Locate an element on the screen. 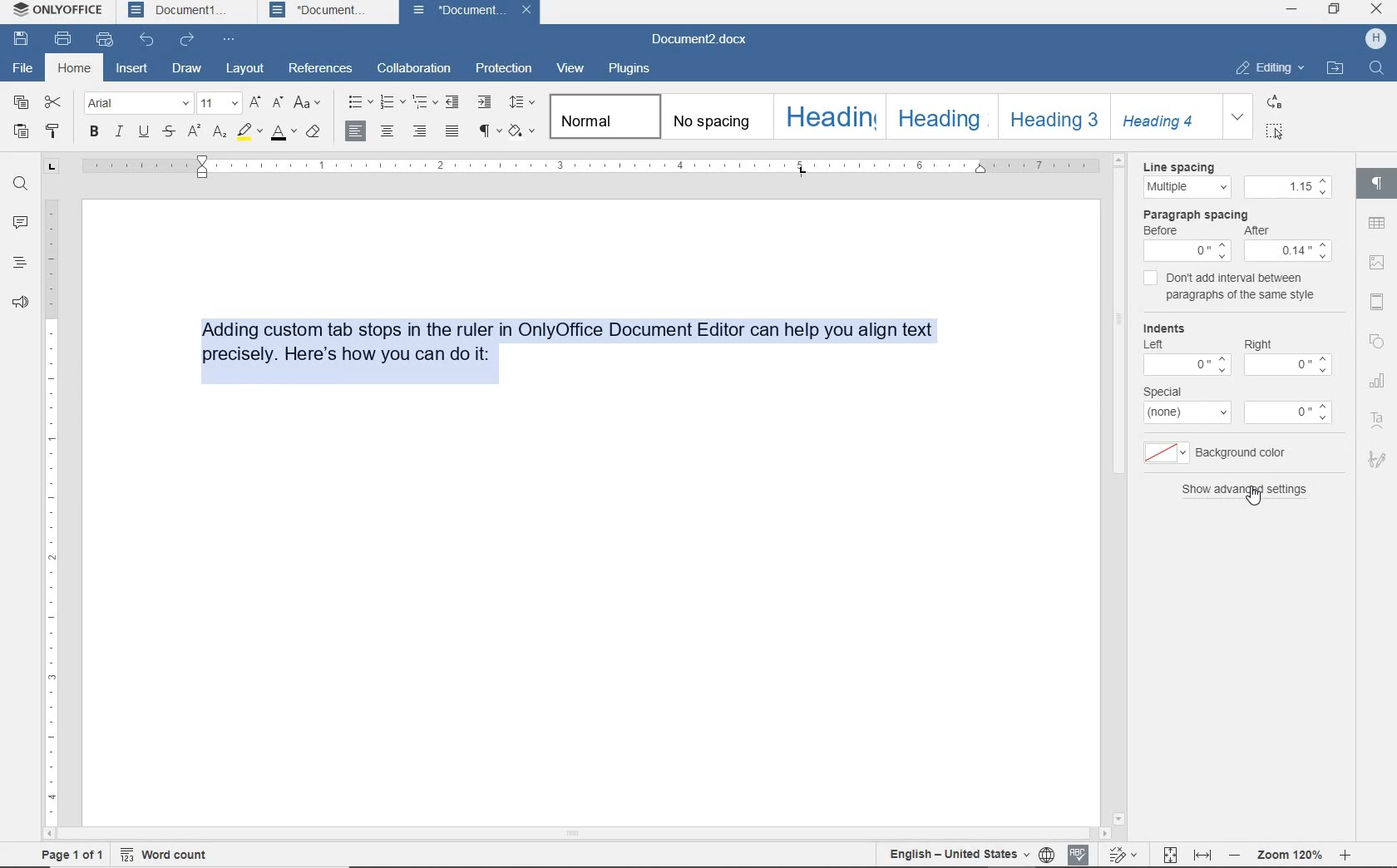 The height and width of the screenshot is (868, 1397). page 1 of 1 is located at coordinates (71, 856).